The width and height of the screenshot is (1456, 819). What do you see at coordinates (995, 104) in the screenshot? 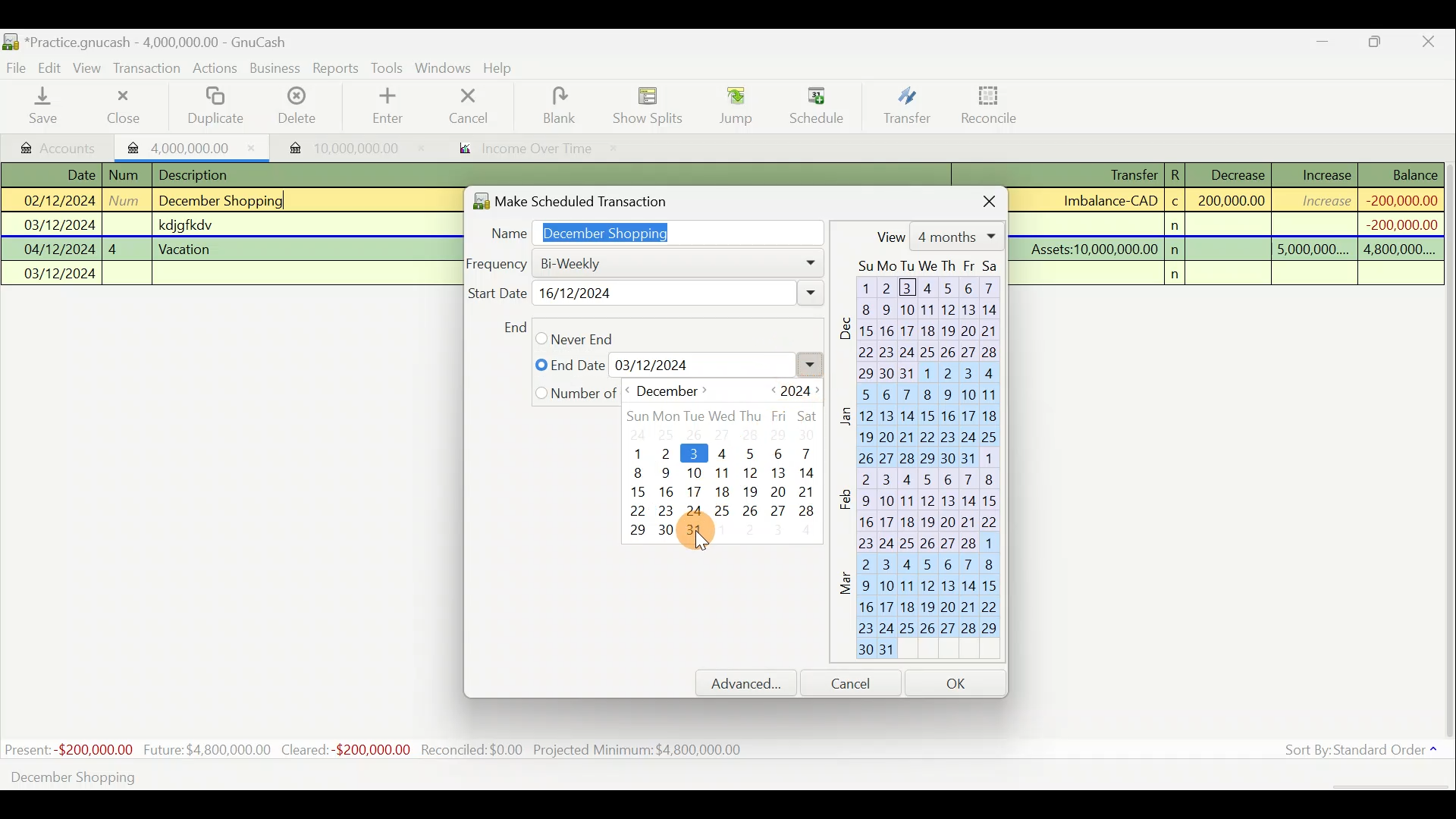
I see `Reconcile` at bounding box center [995, 104].